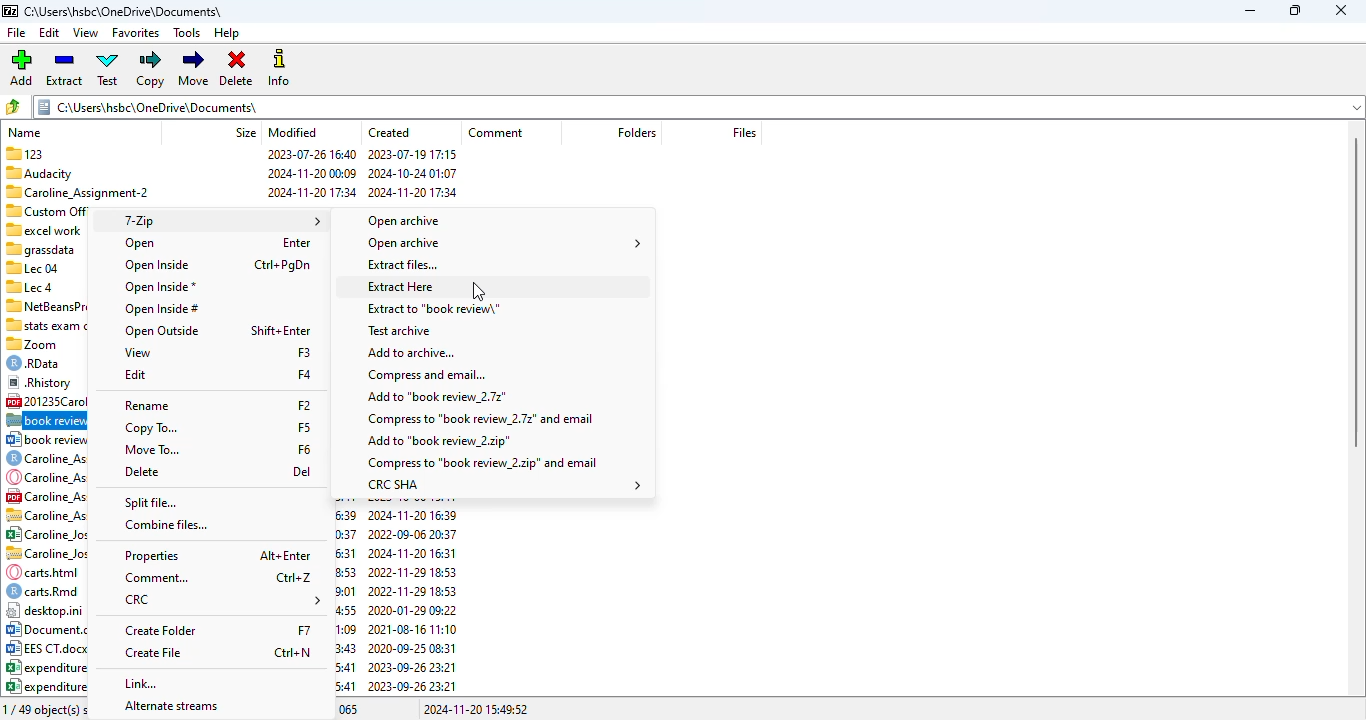  What do you see at coordinates (136, 33) in the screenshot?
I see `favorites` at bounding box center [136, 33].